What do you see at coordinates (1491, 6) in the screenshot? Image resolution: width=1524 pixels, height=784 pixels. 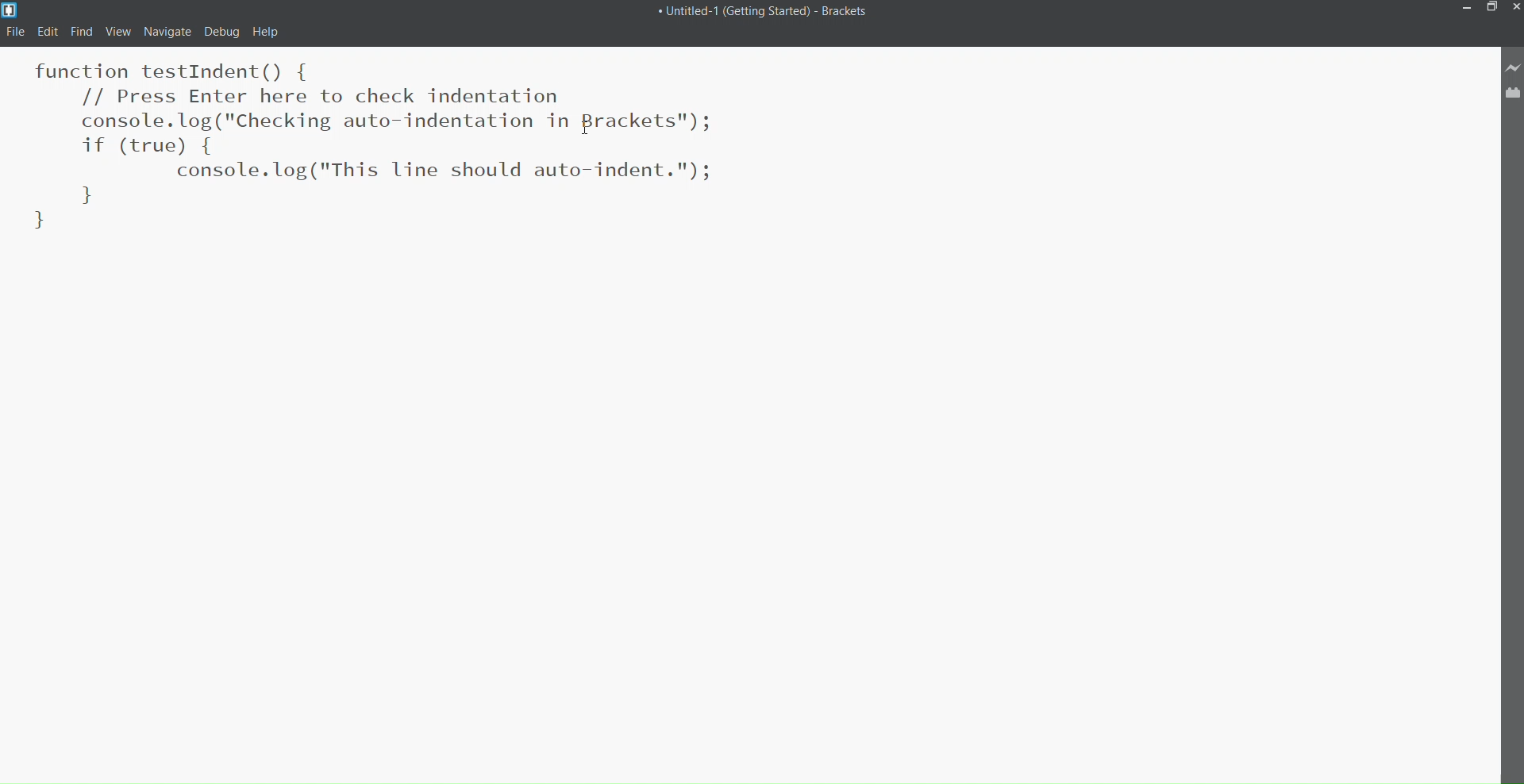 I see `Maximize` at bounding box center [1491, 6].